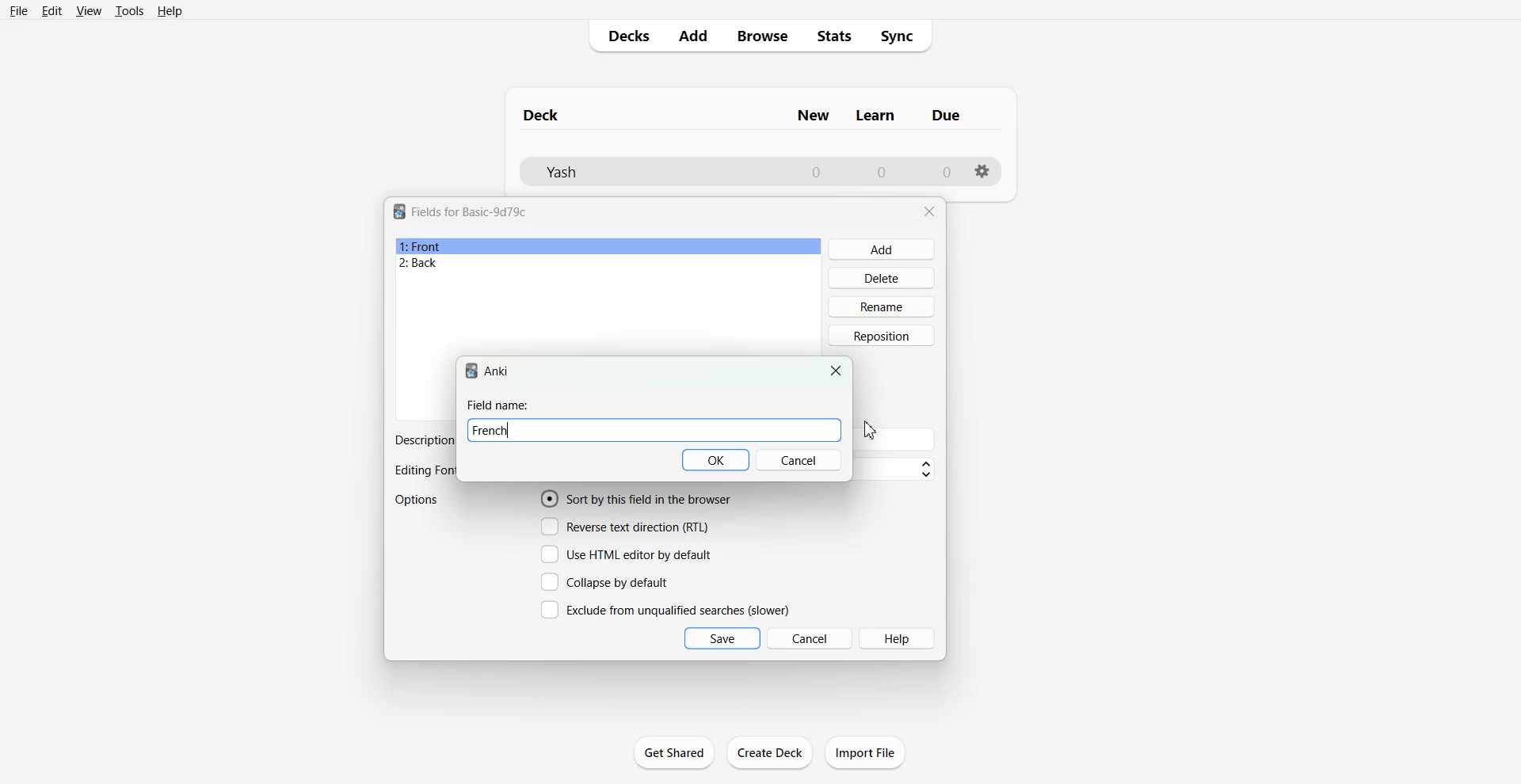 This screenshot has height=784, width=1521. What do you see at coordinates (636, 498) in the screenshot?
I see `Sort by this field in the browser` at bounding box center [636, 498].